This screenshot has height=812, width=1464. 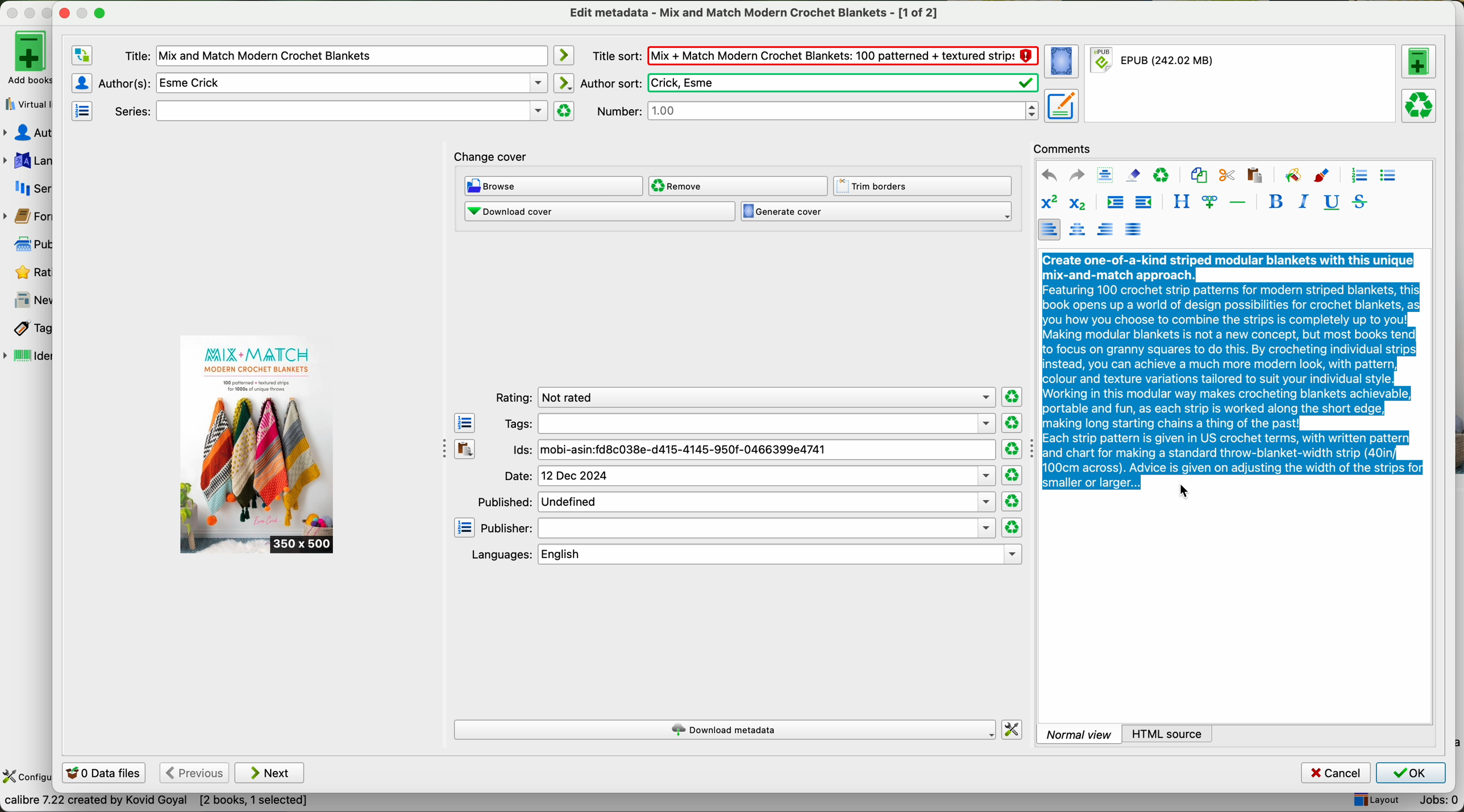 I want to click on align left, so click(x=1049, y=229).